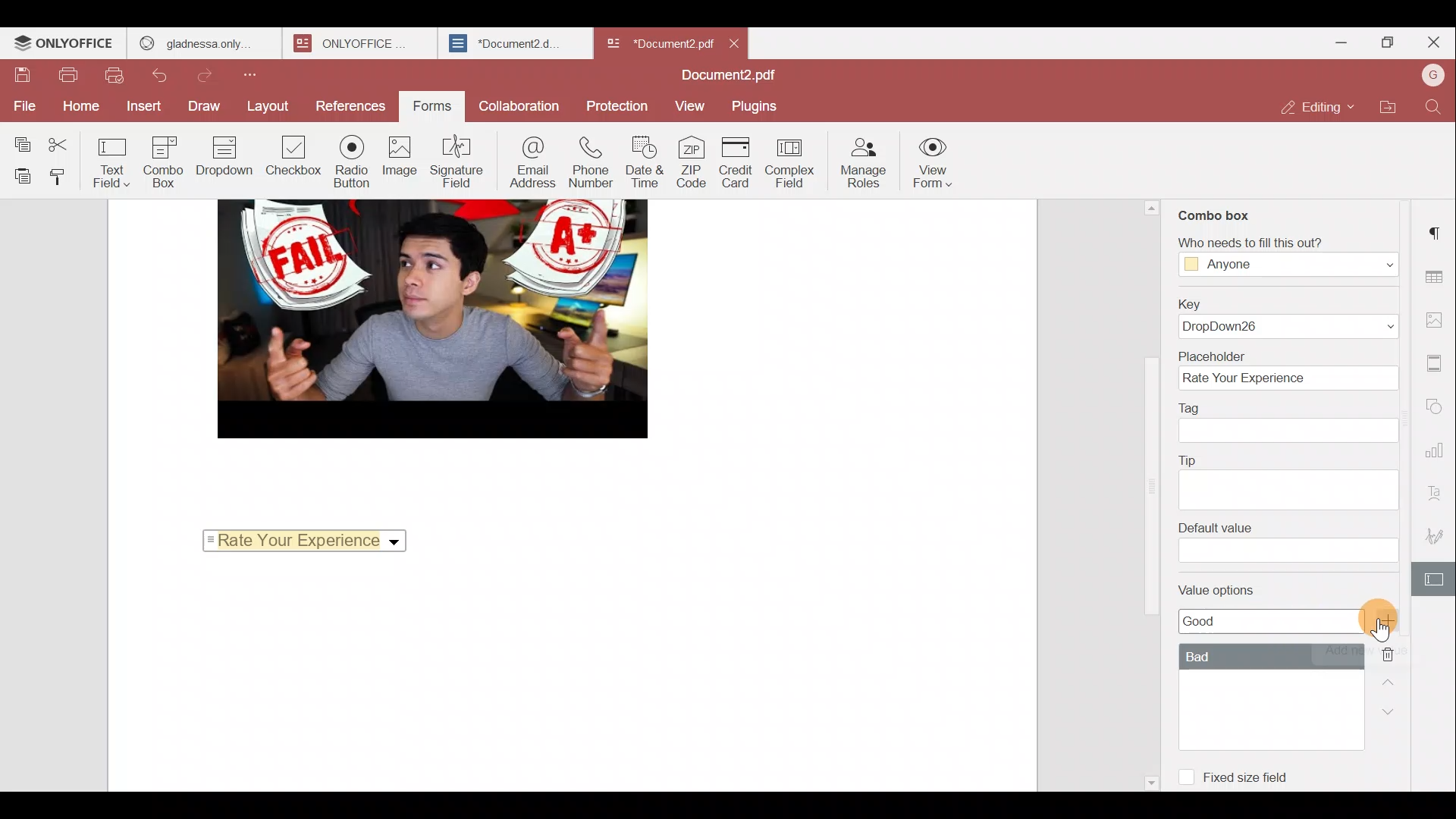 The width and height of the screenshot is (1456, 819). What do you see at coordinates (164, 75) in the screenshot?
I see `Undo` at bounding box center [164, 75].